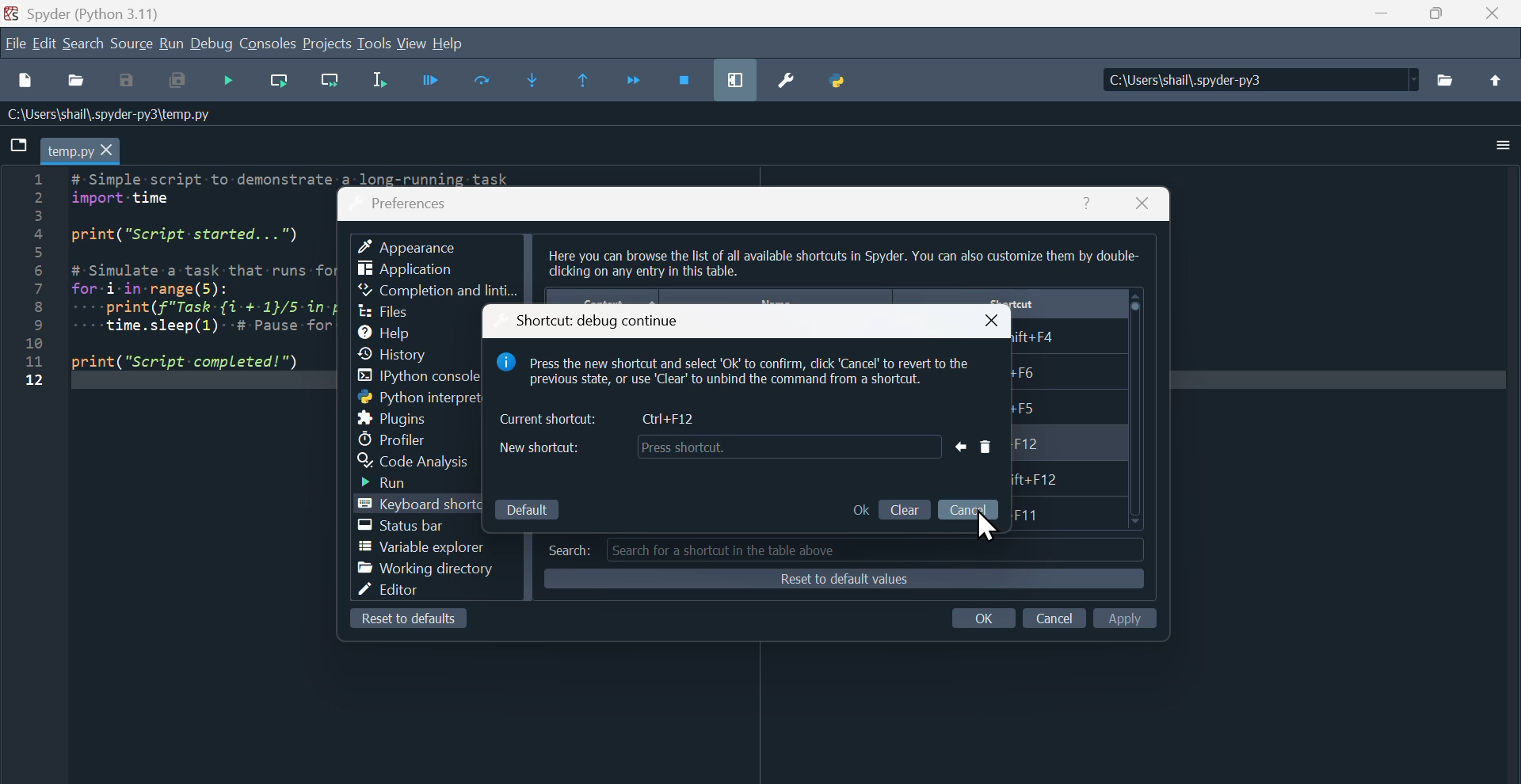 The width and height of the screenshot is (1521, 784). I want to click on Reset to defaults, so click(410, 622).